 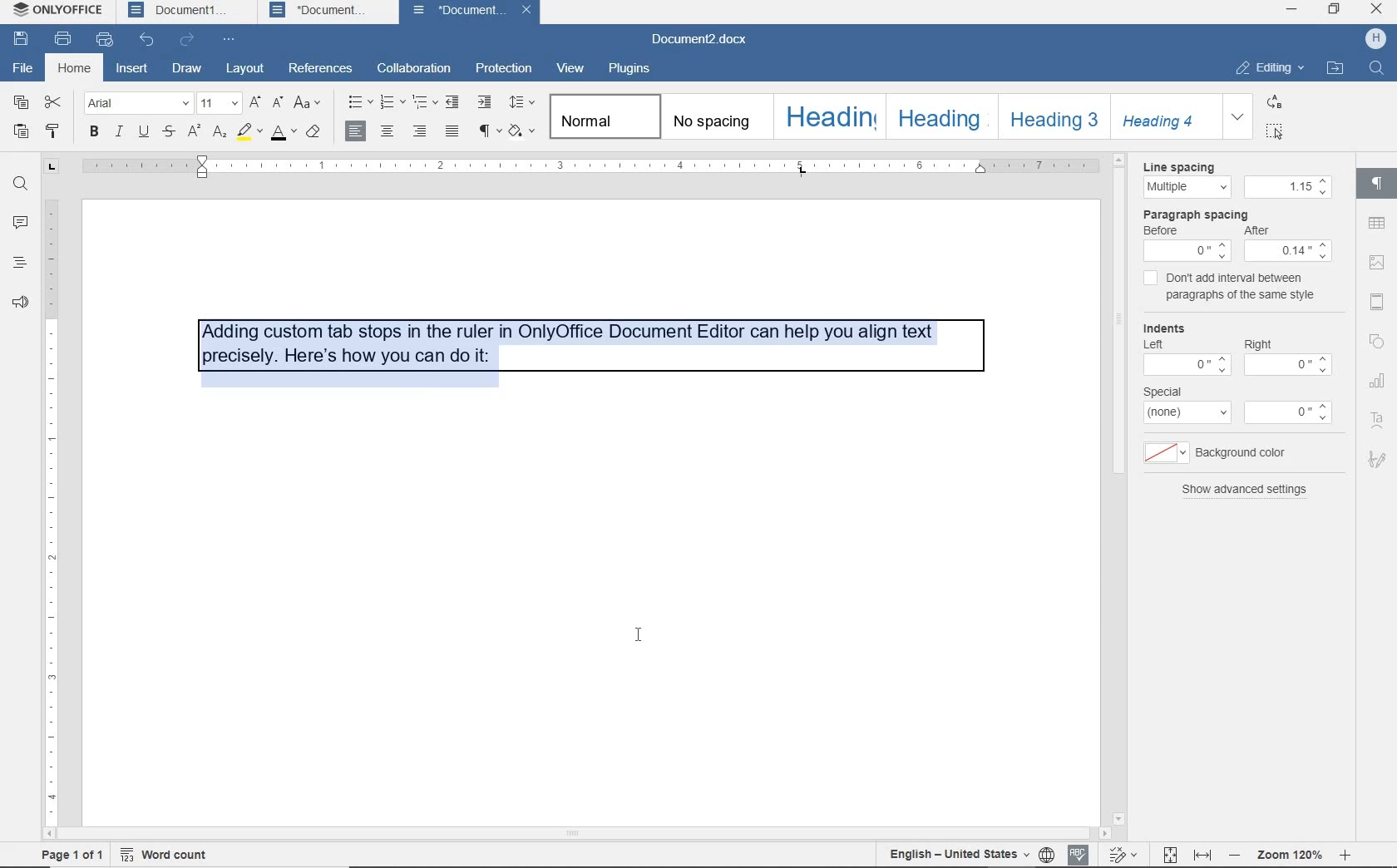 I want to click on heading 3, so click(x=1054, y=118).